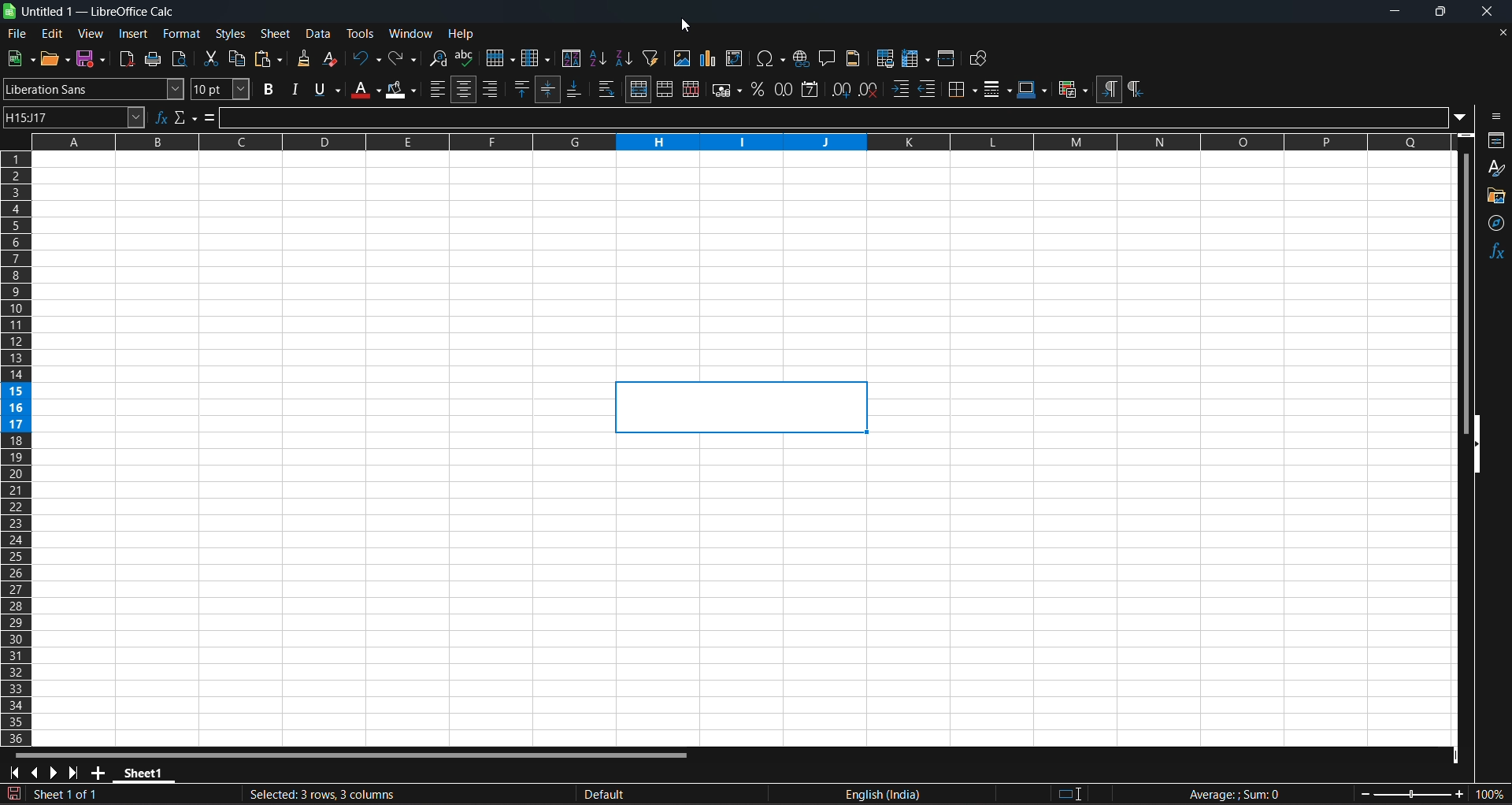 The image size is (1512, 805). What do you see at coordinates (466, 58) in the screenshot?
I see `spelling` at bounding box center [466, 58].